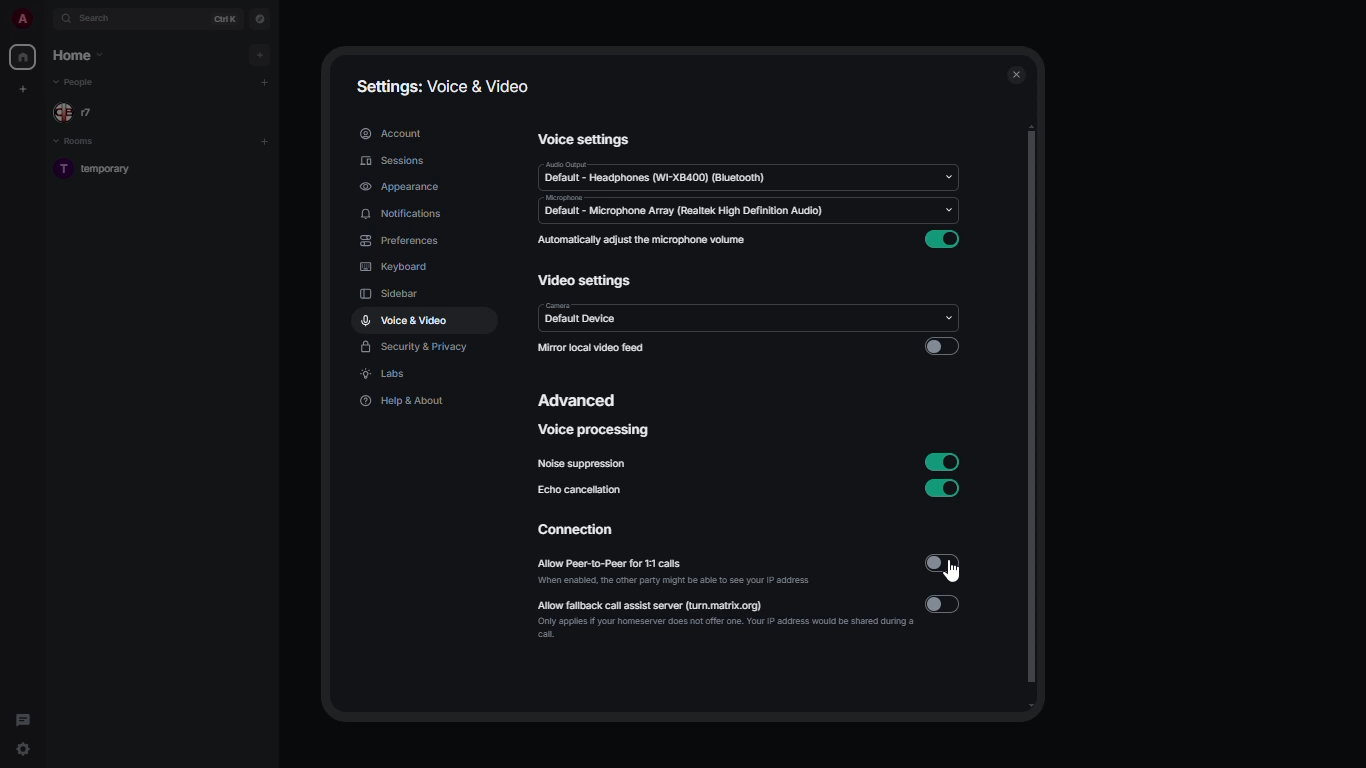  Describe the element at coordinates (388, 163) in the screenshot. I see `sessions` at that location.